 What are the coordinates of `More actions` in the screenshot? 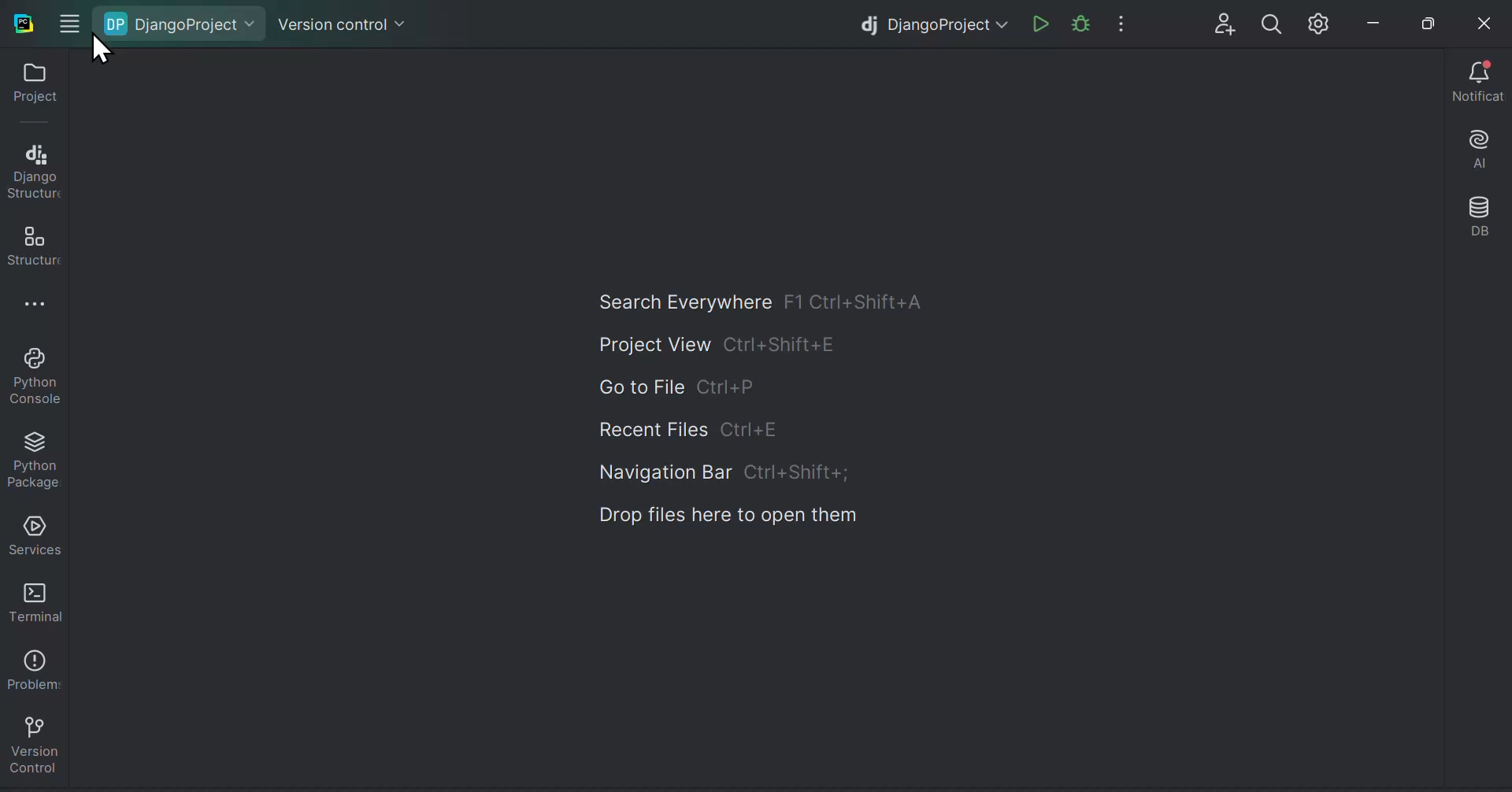 It's located at (1121, 19).